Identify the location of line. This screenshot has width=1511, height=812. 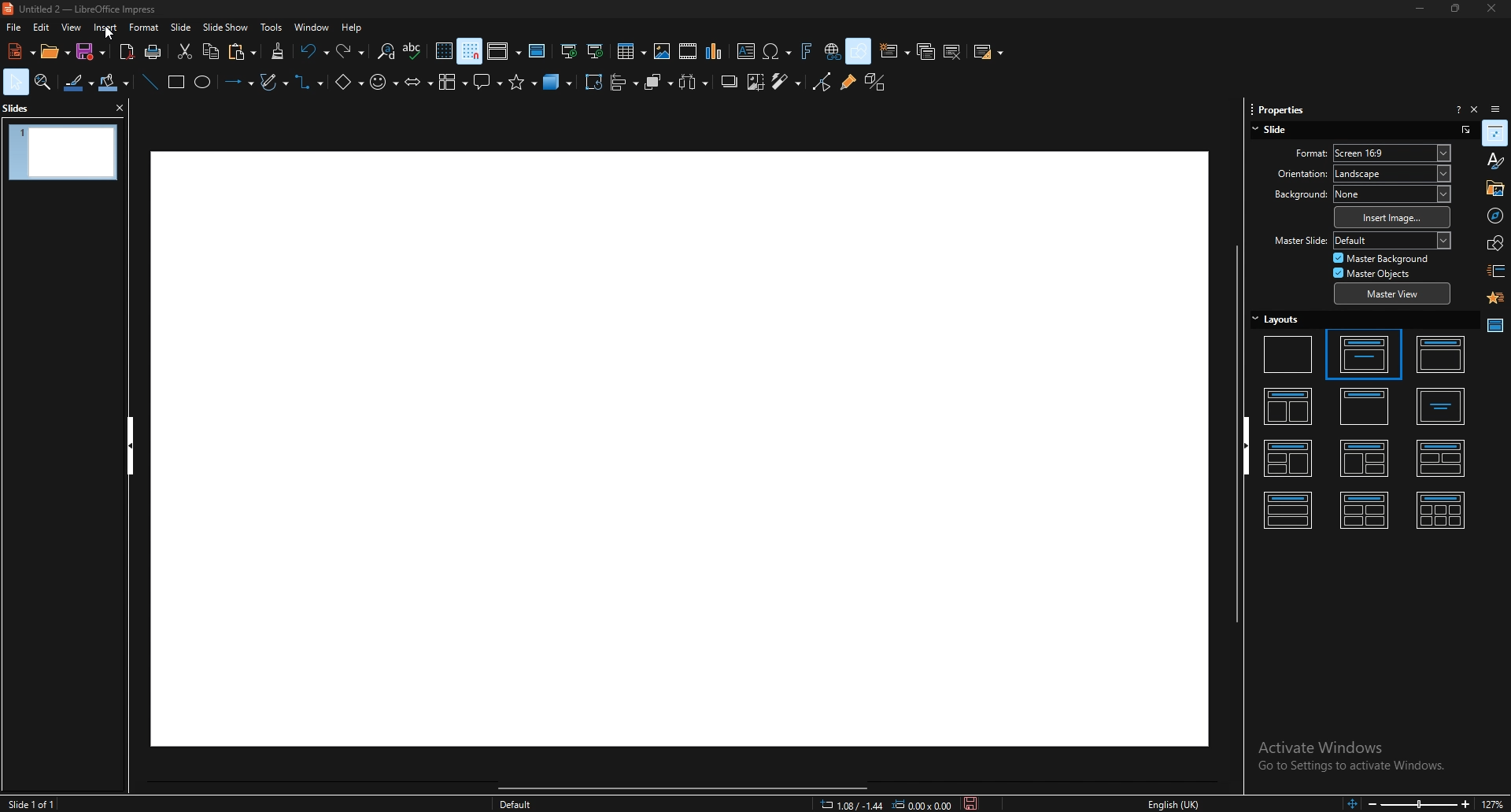
(150, 82).